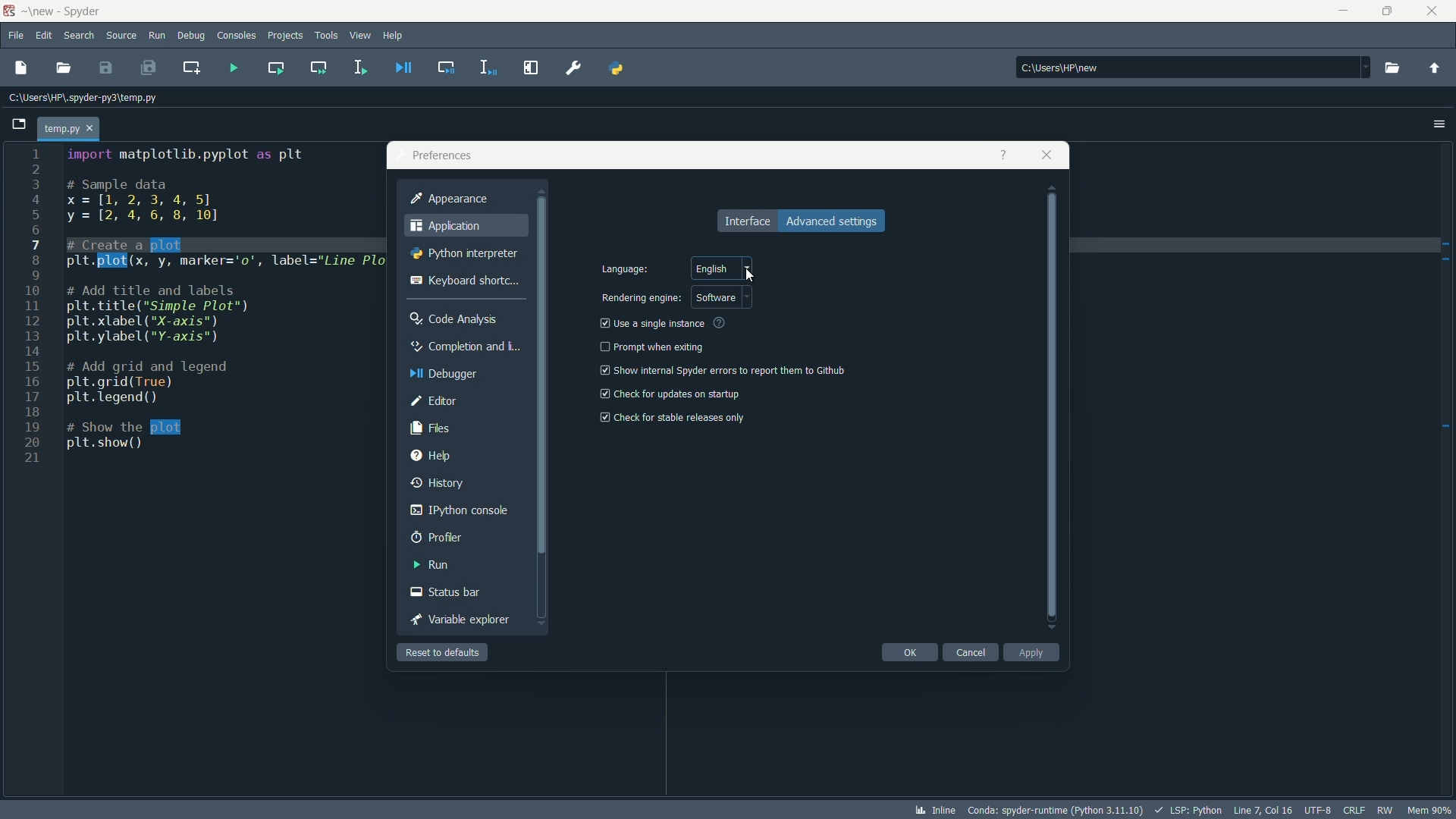 The image size is (1456, 819). Describe the element at coordinates (602, 370) in the screenshot. I see `checkbox` at that location.